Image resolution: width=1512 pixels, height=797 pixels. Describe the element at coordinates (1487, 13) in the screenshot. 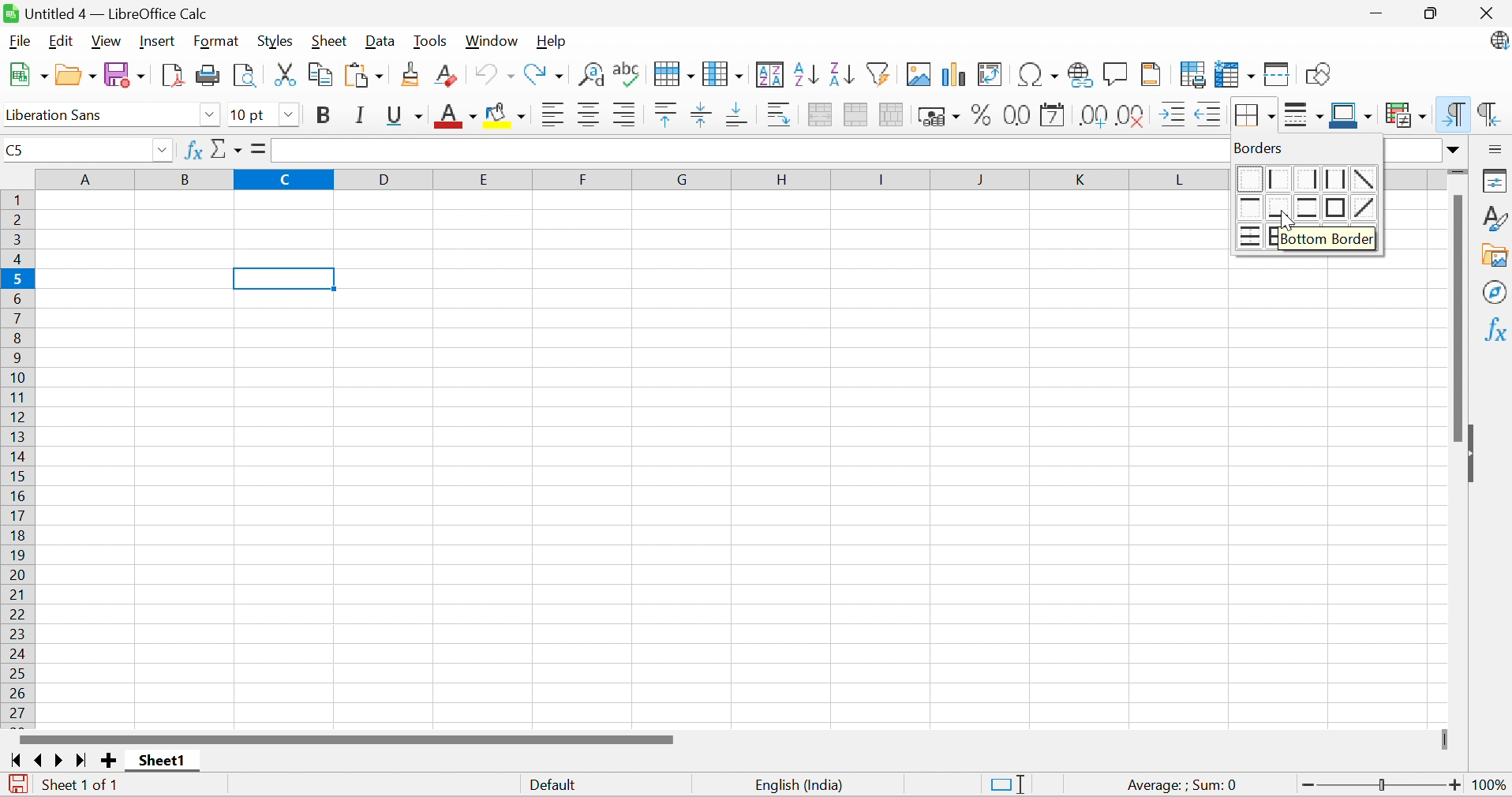

I see `Close` at that location.